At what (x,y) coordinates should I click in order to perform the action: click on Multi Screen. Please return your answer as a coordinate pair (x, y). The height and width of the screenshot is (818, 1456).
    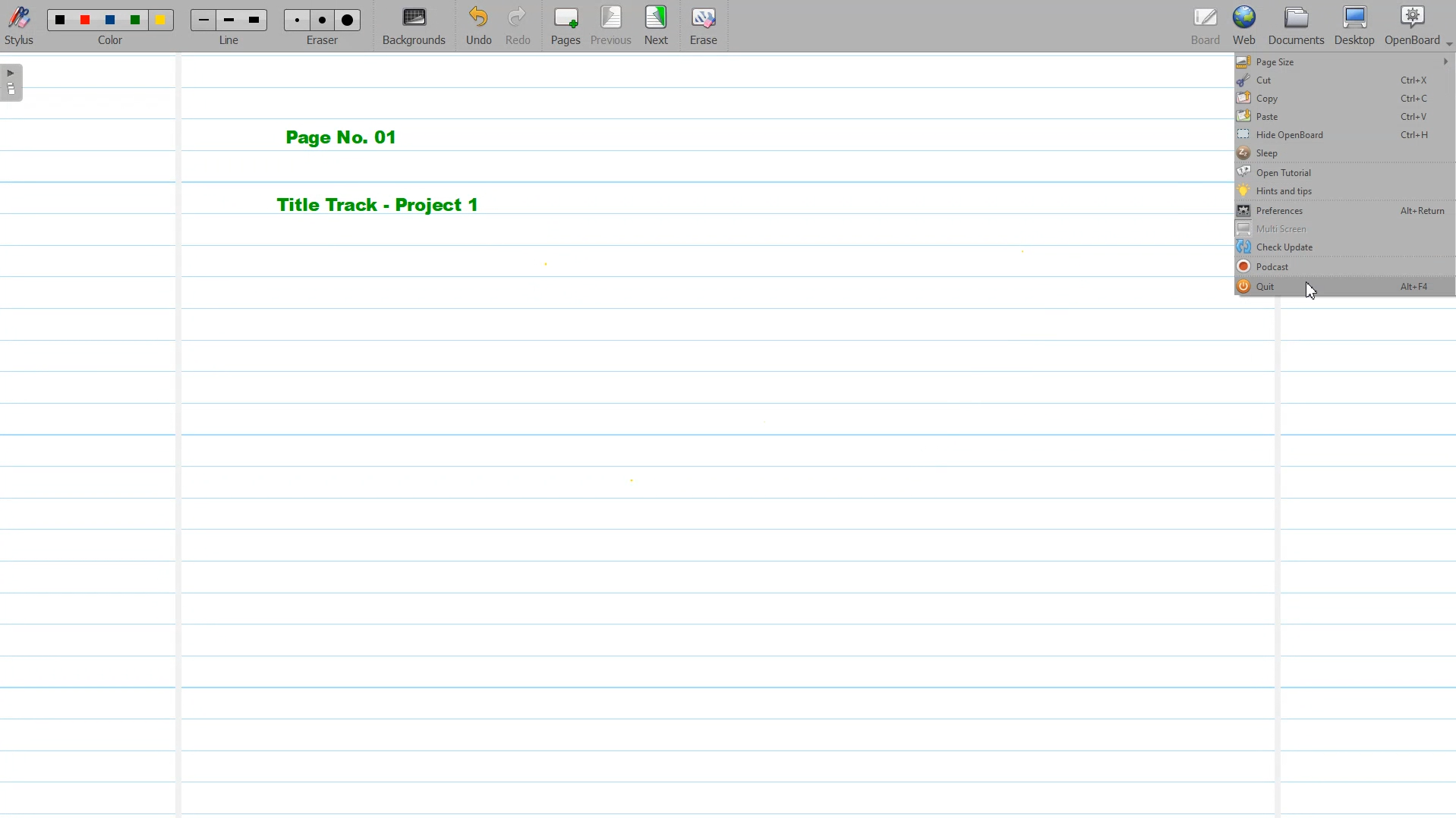
    Looking at the image, I should click on (1345, 228).